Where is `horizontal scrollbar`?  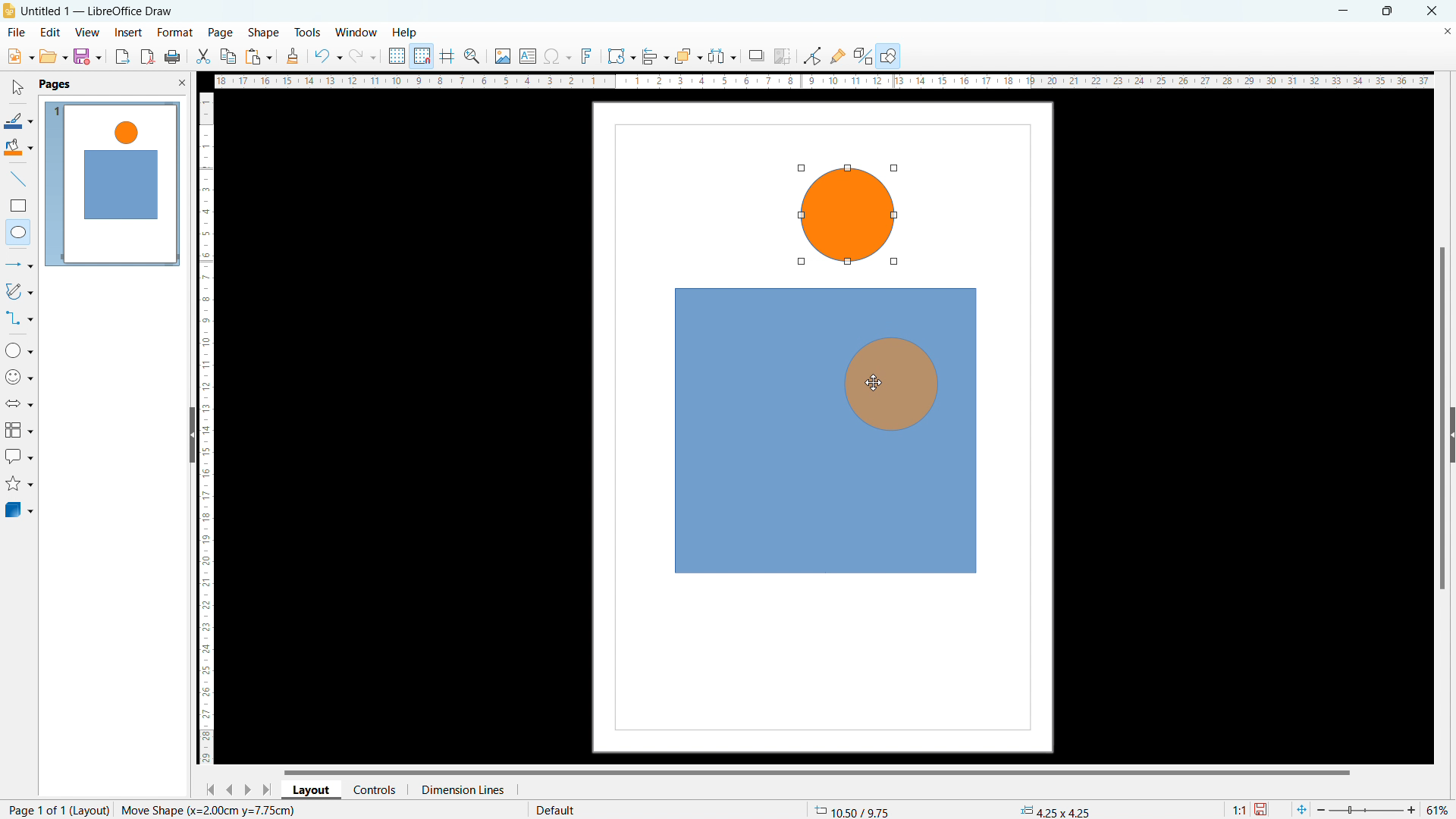 horizontal scrollbar is located at coordinates (817, 771).